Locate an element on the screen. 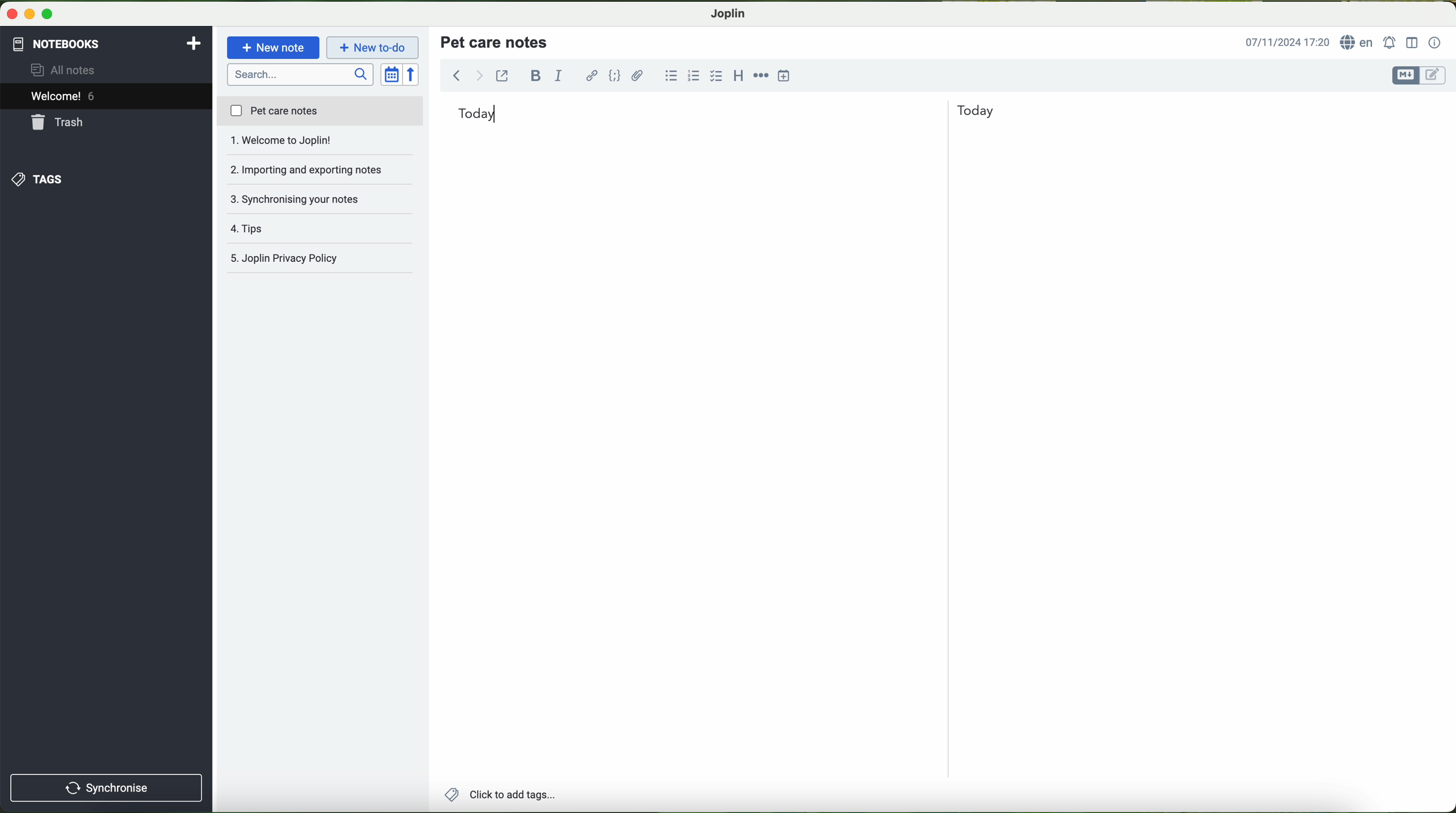 This screenshot has width=1456, height=813. set alarm is located at coordinates (1391, 42).